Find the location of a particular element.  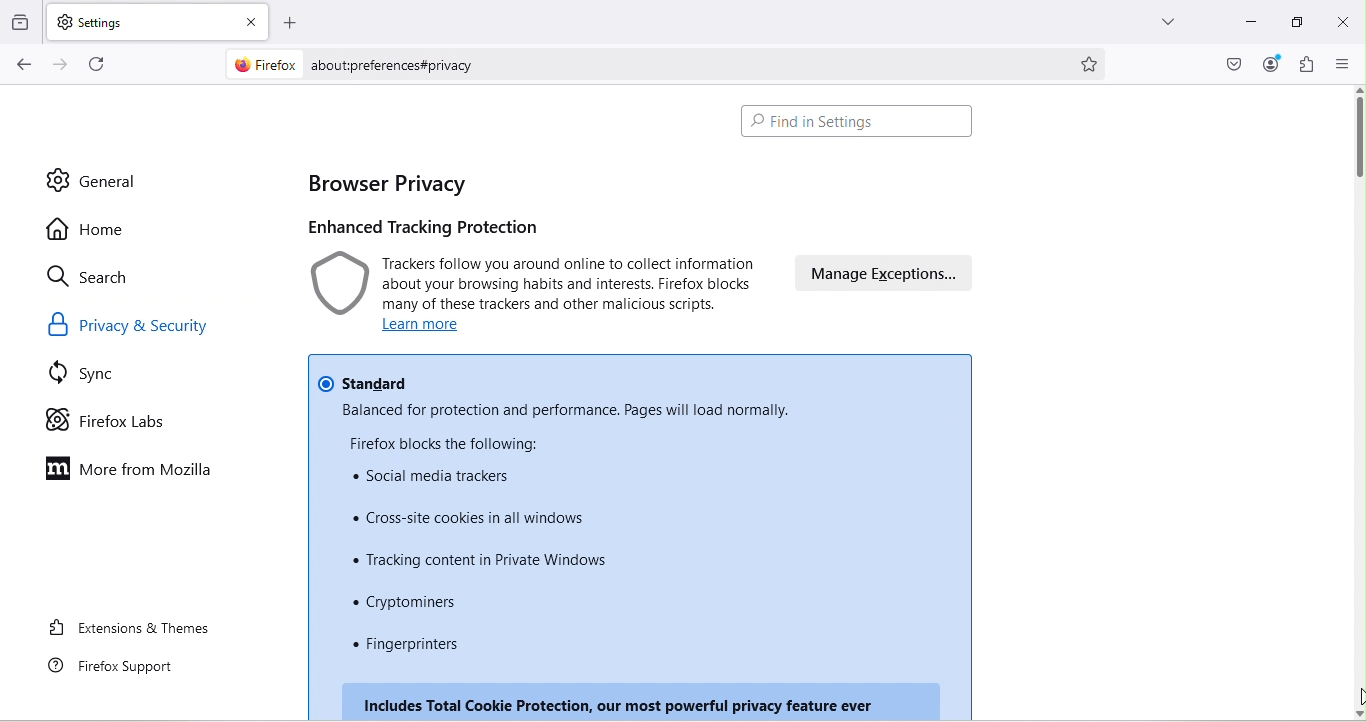

Firefox labs is located at coordinates (107, 420).